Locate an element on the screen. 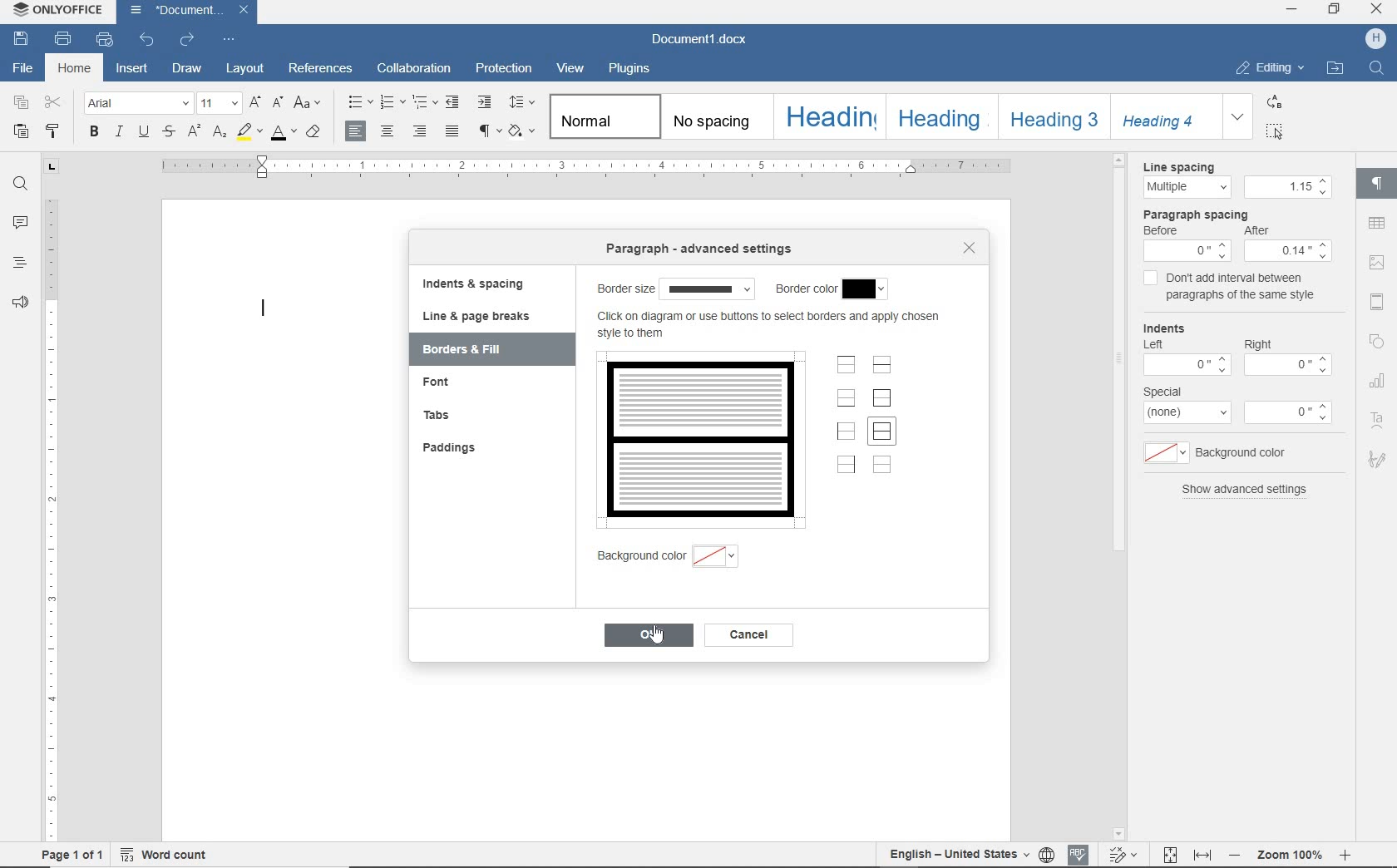 Image resolution: width=1397 pixels, height=868 pixels. save is located at coordinates (25, 41).